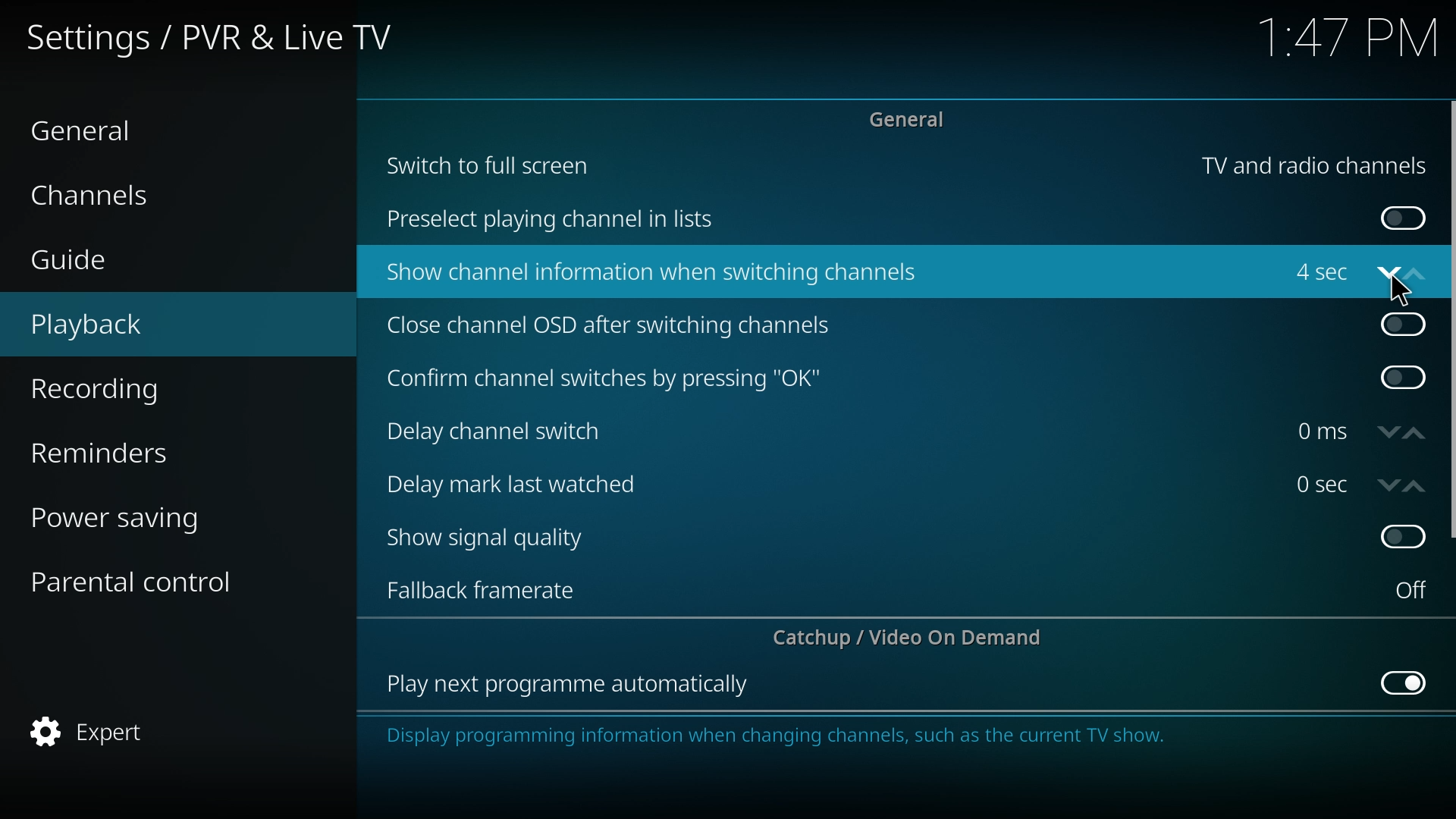 The image size is (1456, 819). I want to click on decrease time, so click(1387, 277).